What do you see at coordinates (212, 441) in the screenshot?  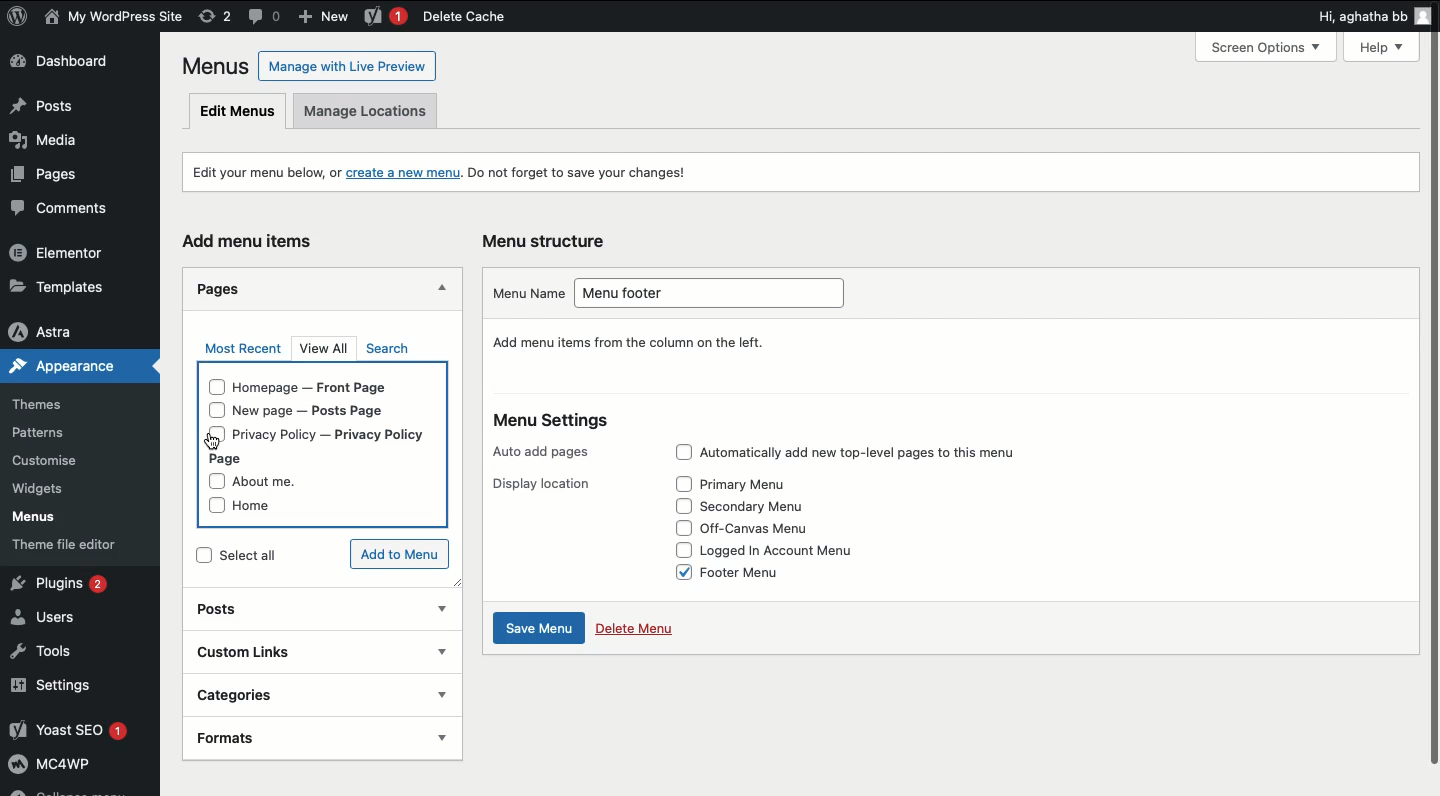 I see `cursor` at bounding box center [212, 441].